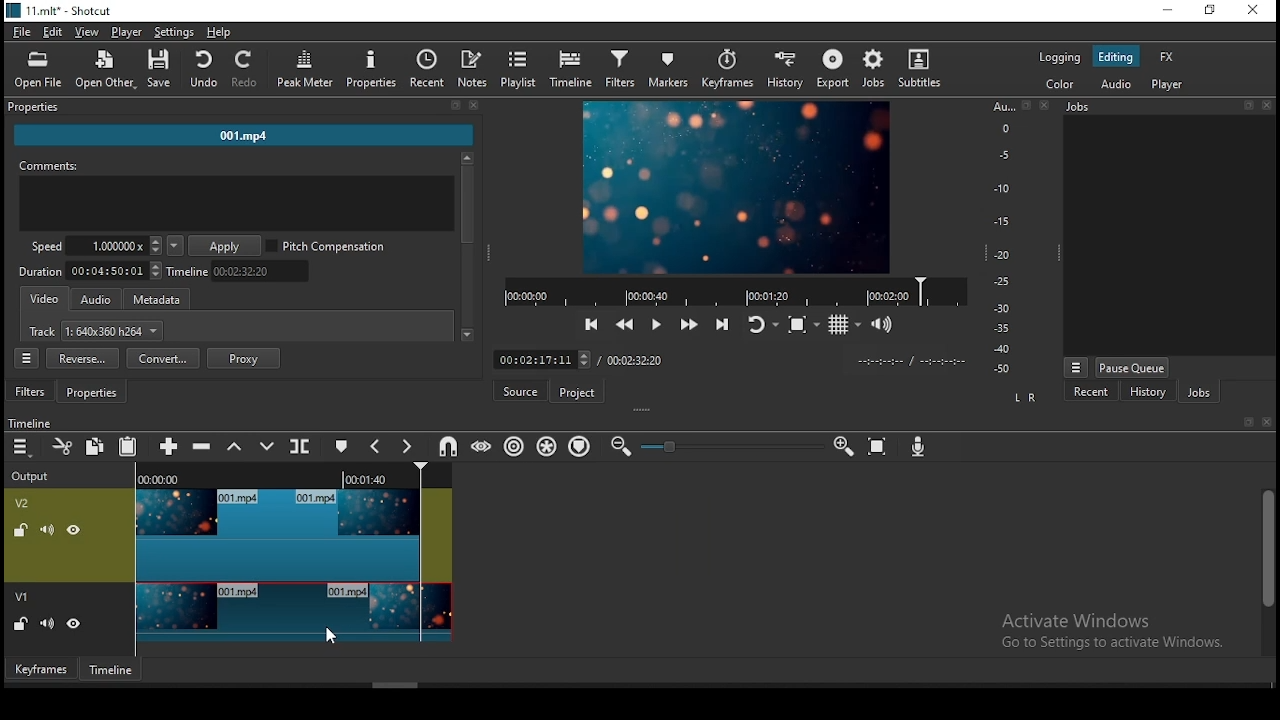 This screenshot has width=1280, height=720. I want to click on OUTPUT, so click(30, 475).